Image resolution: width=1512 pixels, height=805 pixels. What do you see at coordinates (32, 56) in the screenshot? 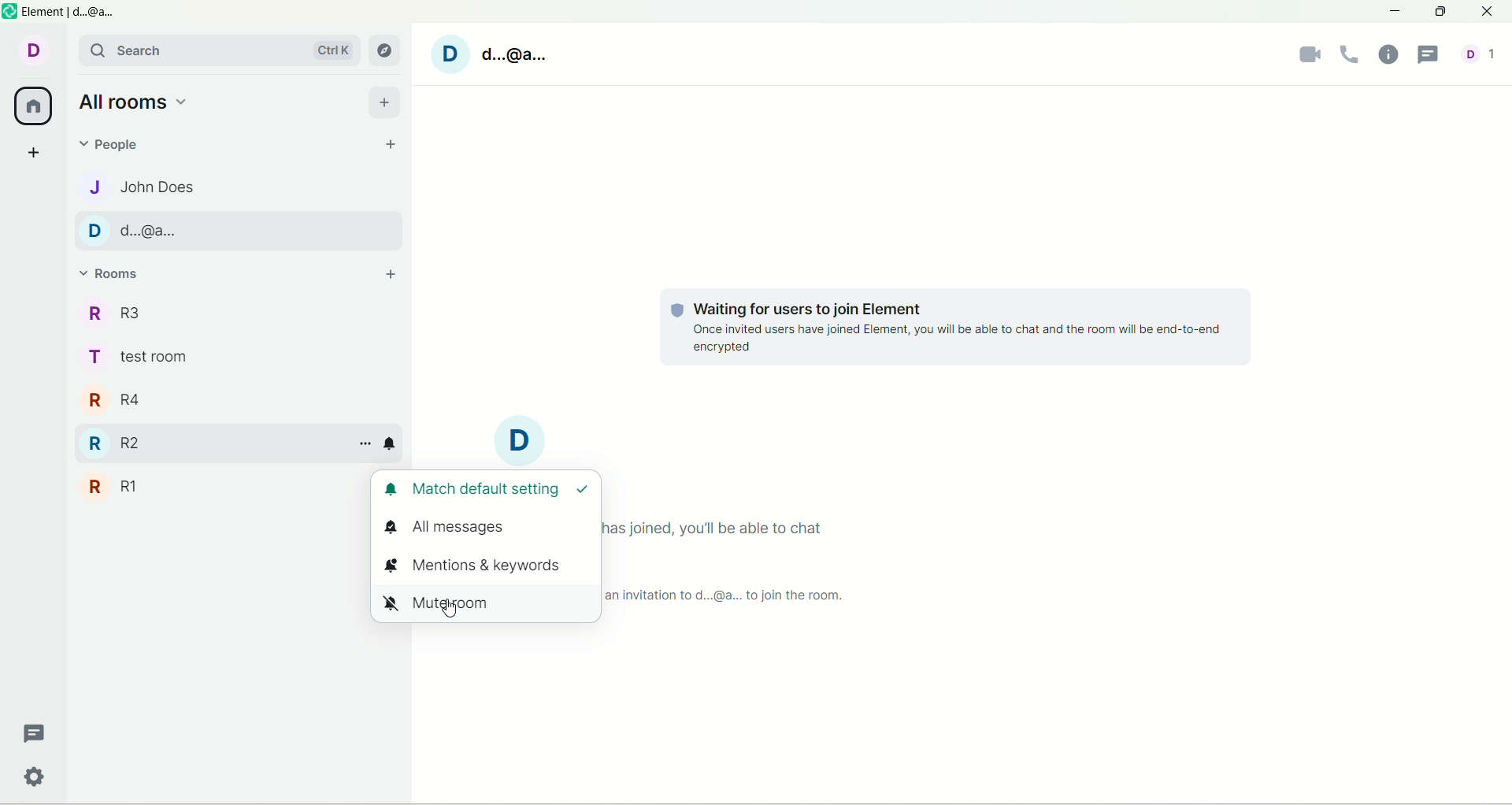
I see `account` at bounding box center [32, 56].